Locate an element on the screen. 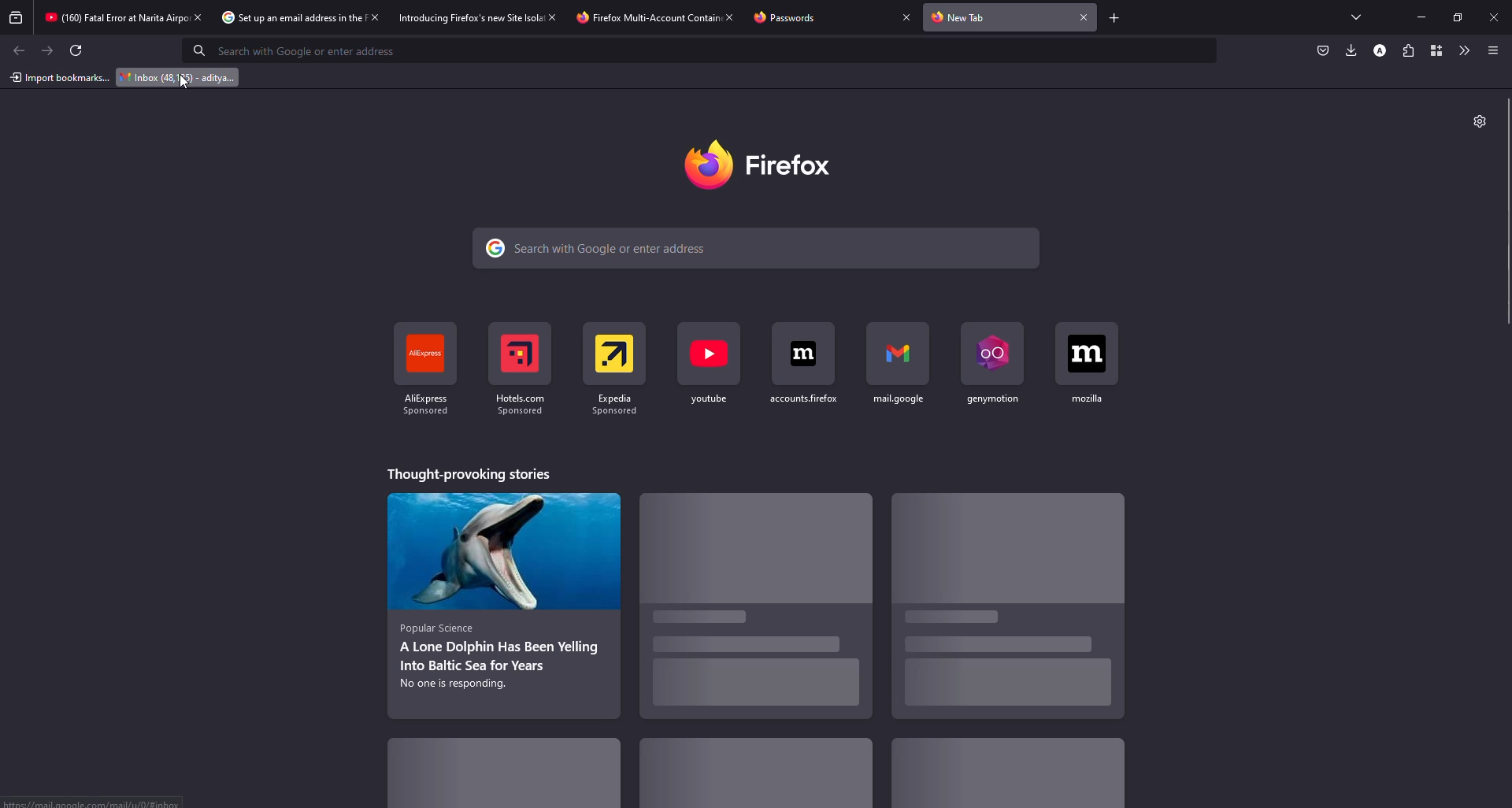  minimize is located at coordinates (1414, 17).